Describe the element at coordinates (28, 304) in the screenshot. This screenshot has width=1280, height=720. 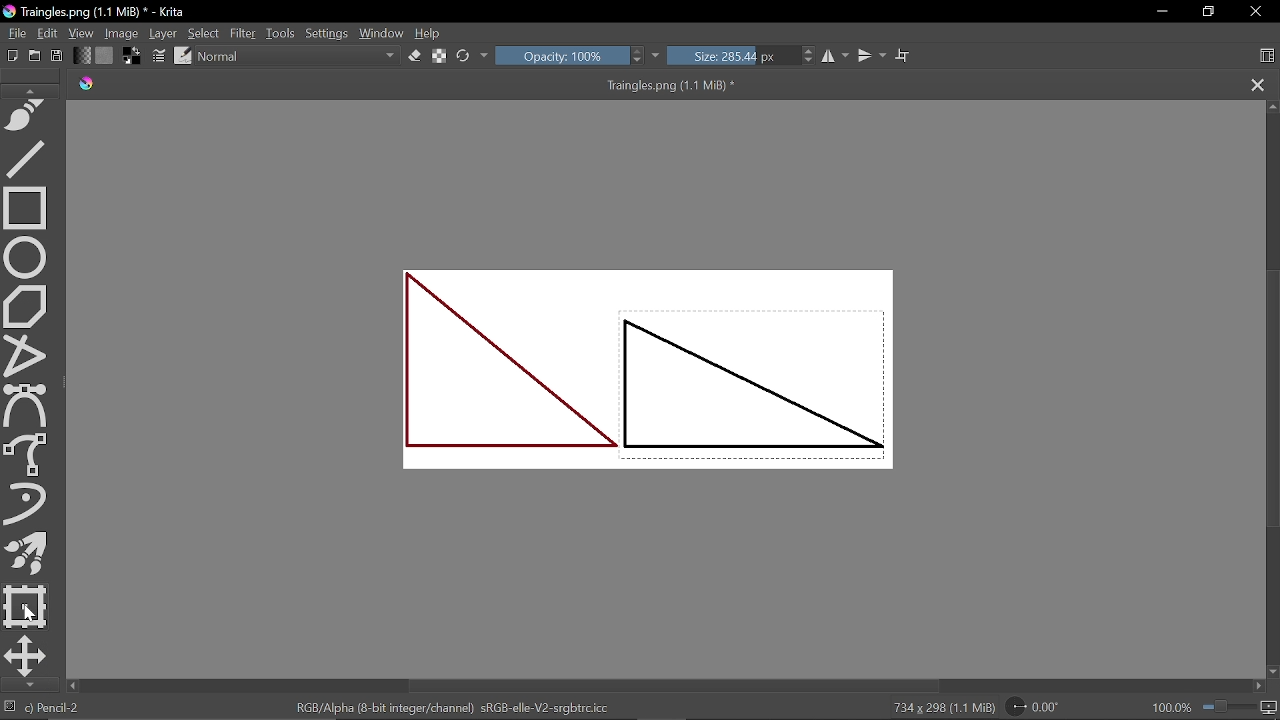
I see `Polygon tool` at that location.